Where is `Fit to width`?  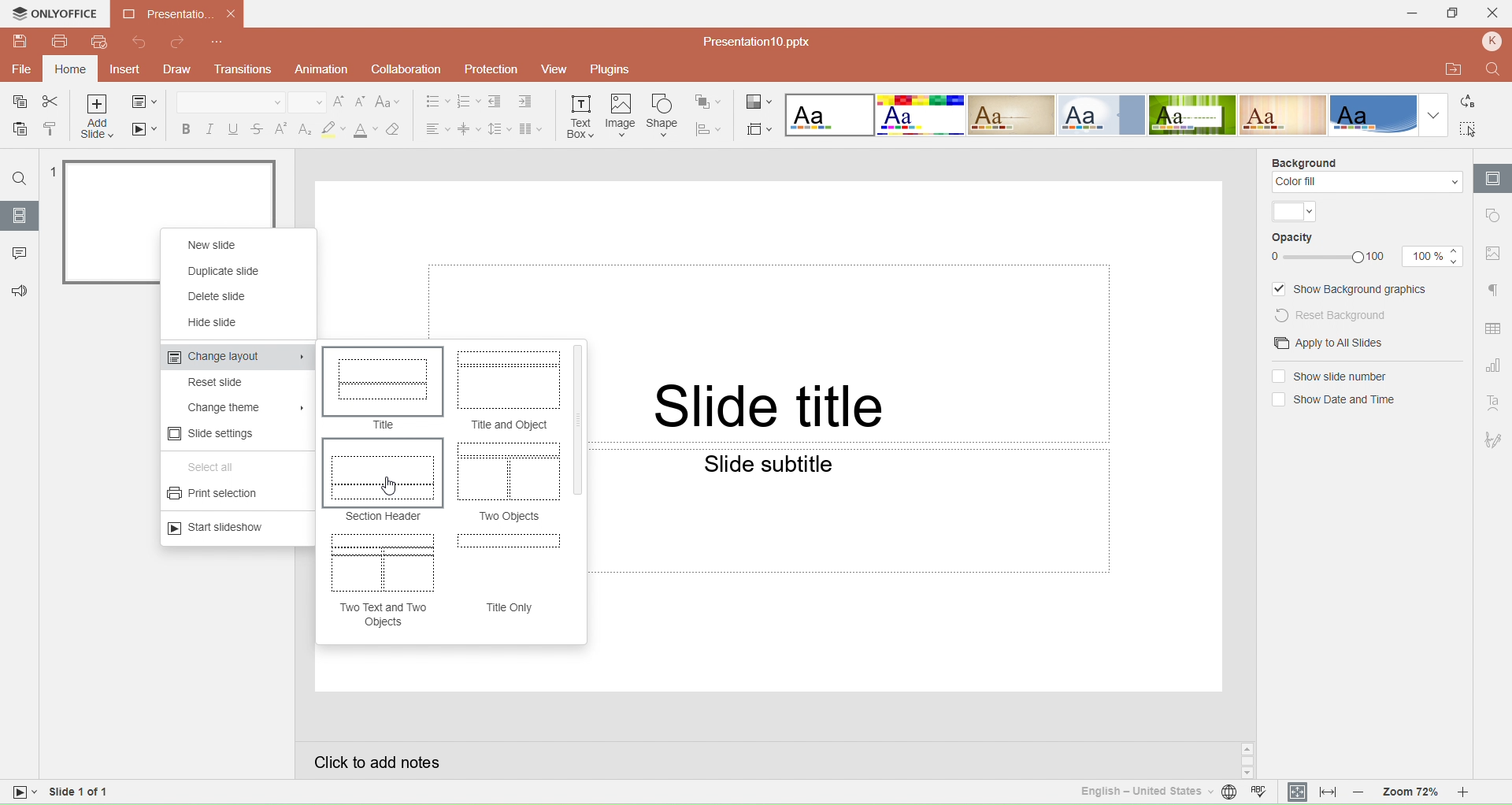 Fit to width is located at coordinates (1328, 792).